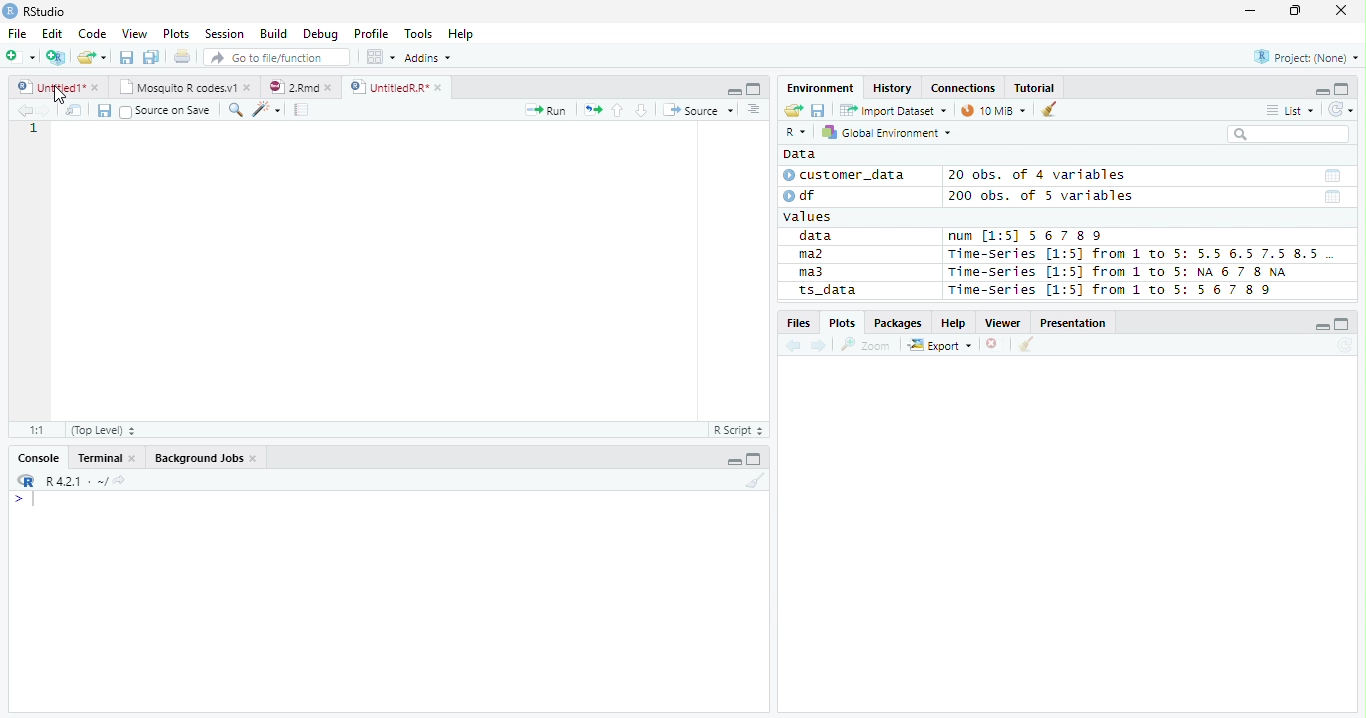  Describe the element at coordinates (866, 345) in the screenshot. I see `Zoom` at that location.